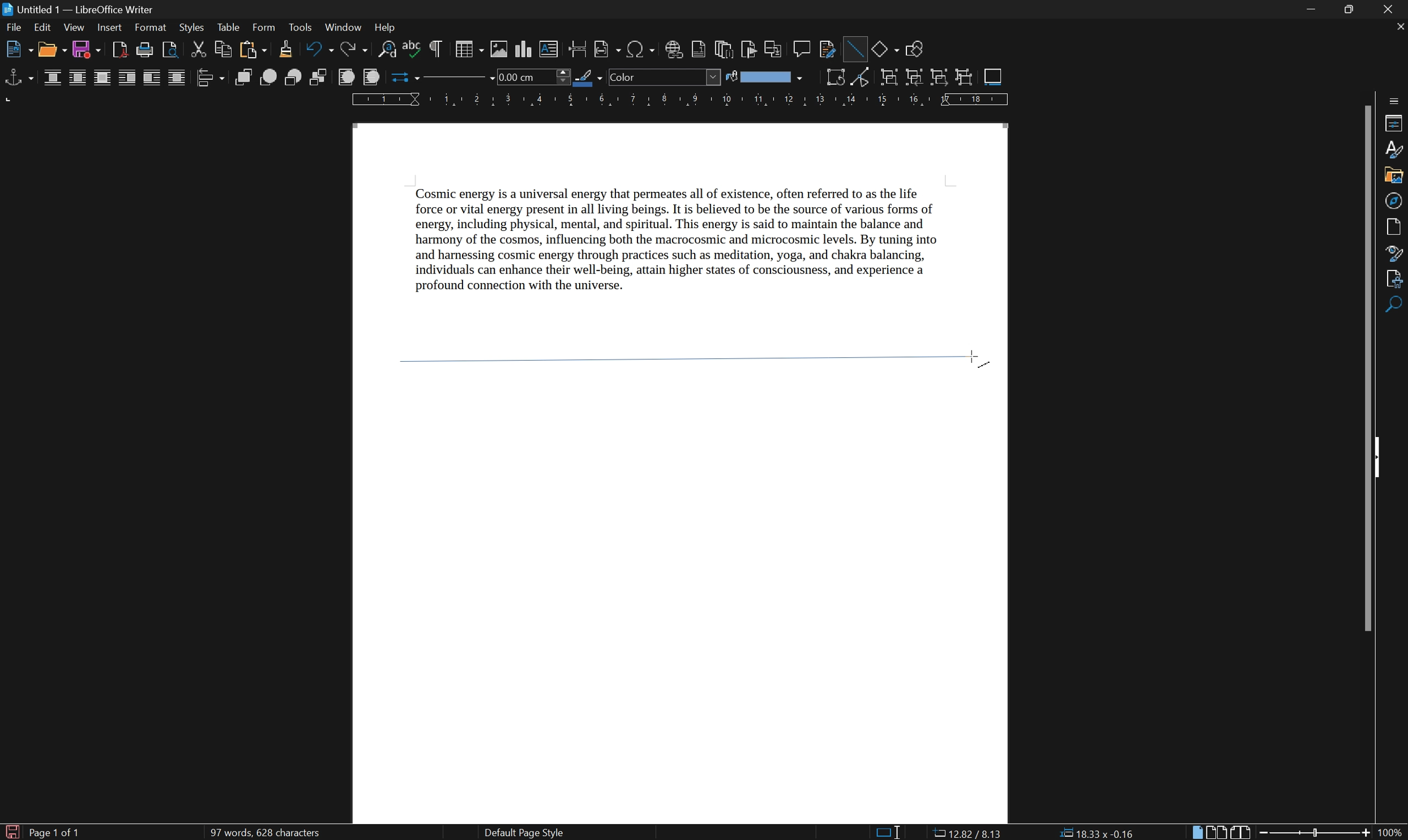 The width and height of the screenshot is (1408, 840). What do you see at coordinates (295, 78) in the screenshot?
I see `back one` at bounding box center [295, 78].